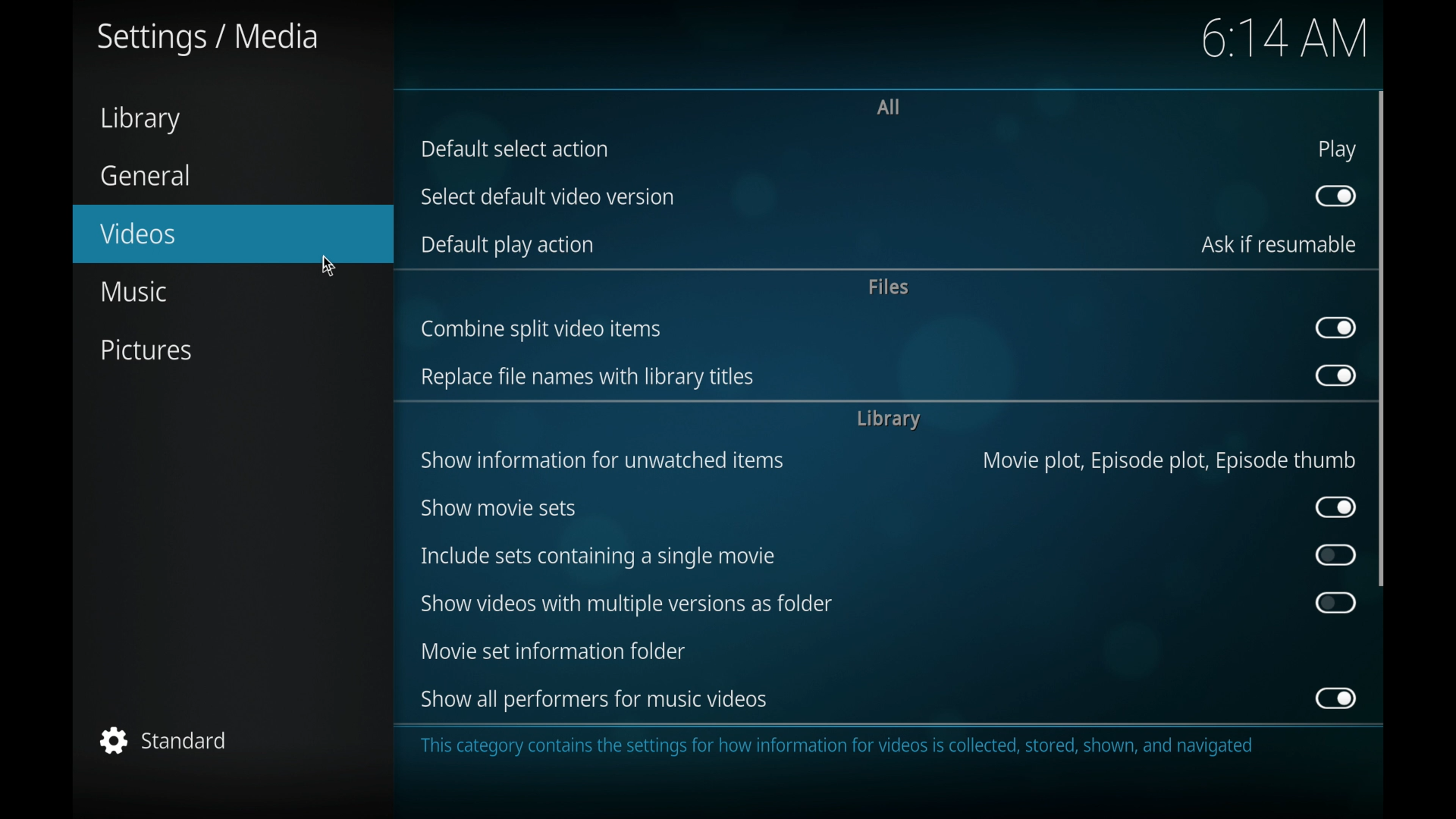 The image size is (1456, 819). I want to click on pictures, so click(146, 350).